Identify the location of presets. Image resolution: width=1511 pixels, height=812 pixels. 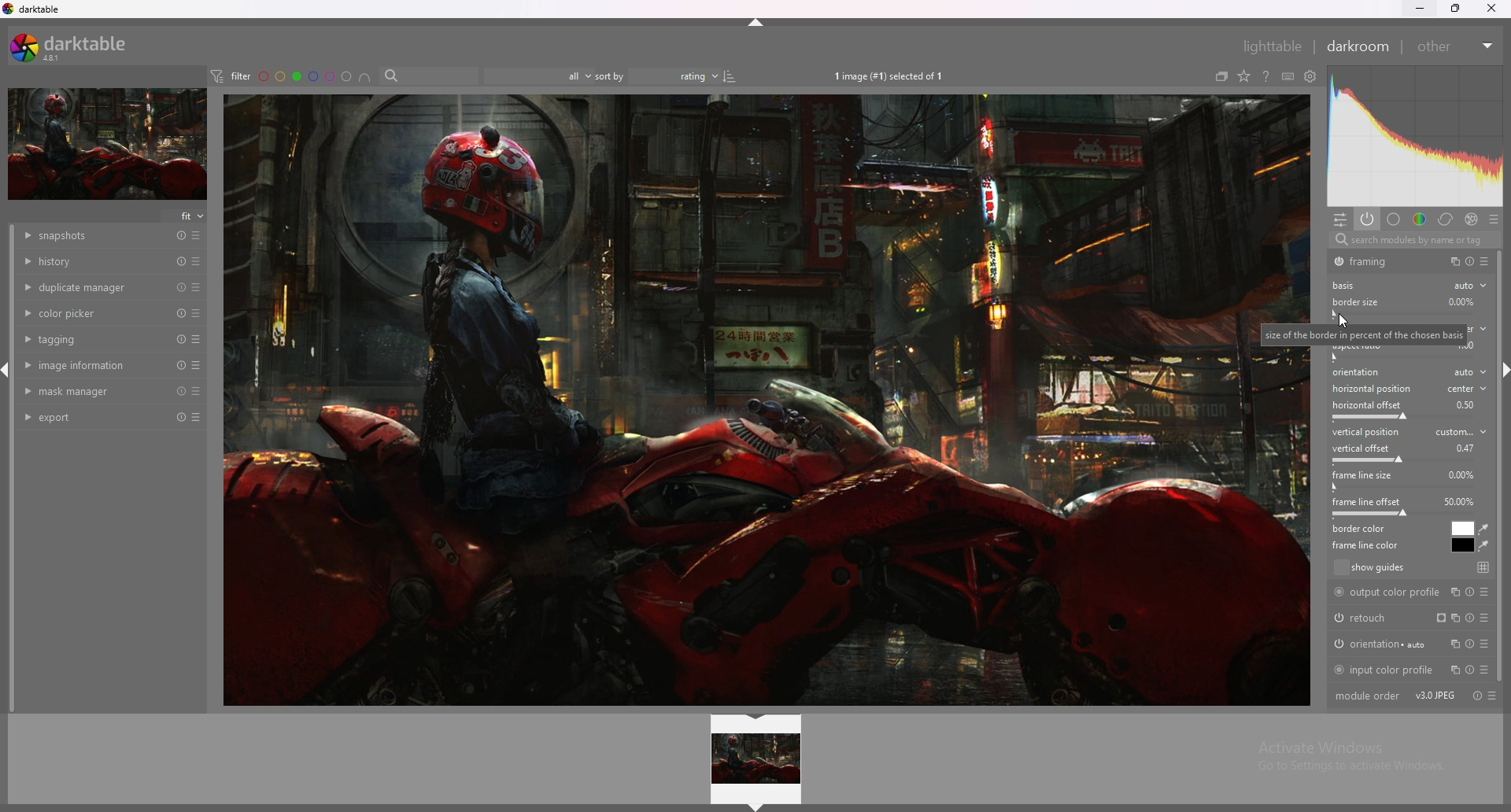
(1495, 696).